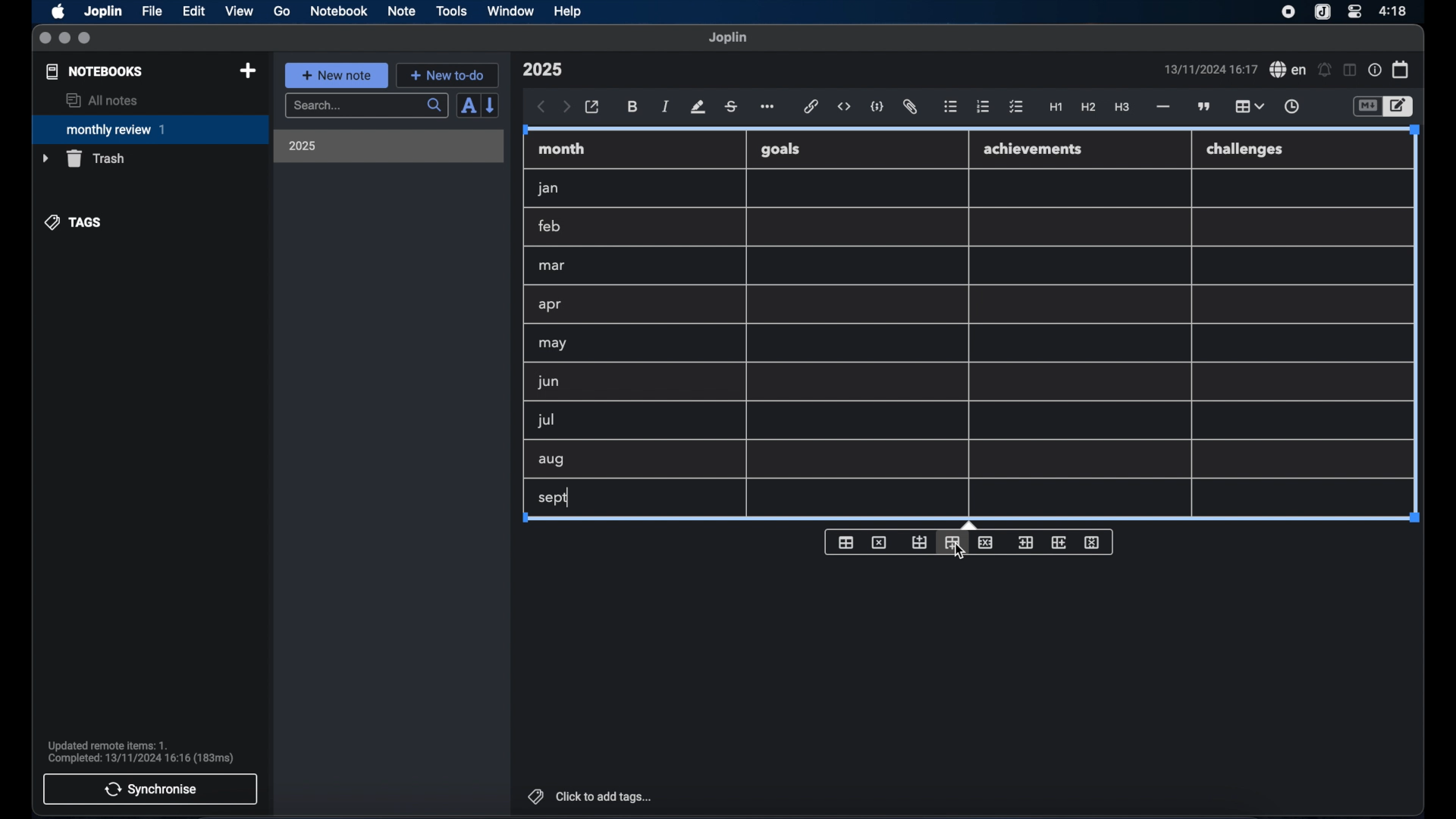 The height and width of the screenshot is (819, 1456). I want to click on trash, so click(83, 158).